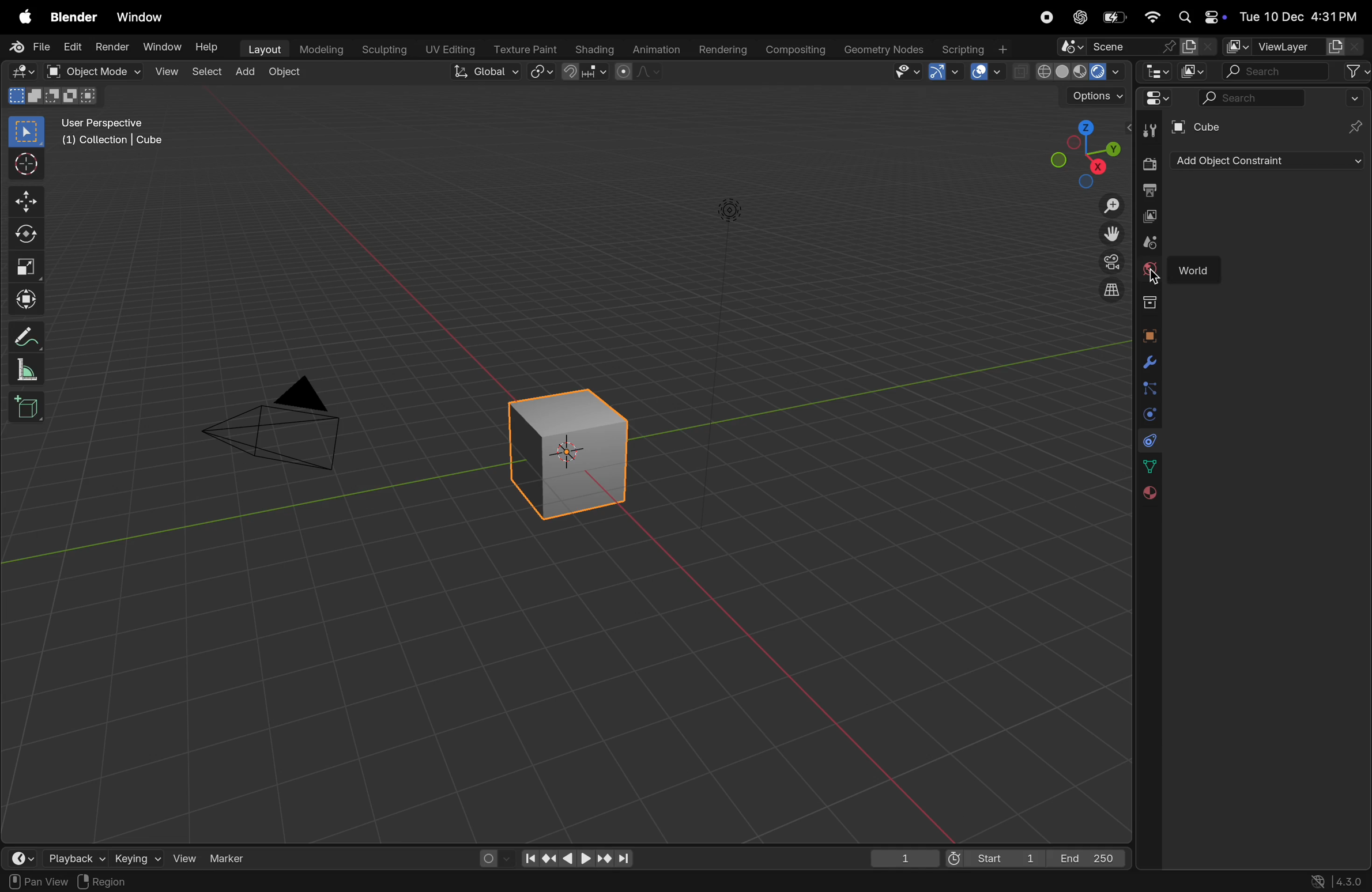 This screenshot has width=1372, height=892. What do you see at coordinates (1107, 233) in the screenshot?
I see `move the view` at bounding box center [1107, 233].